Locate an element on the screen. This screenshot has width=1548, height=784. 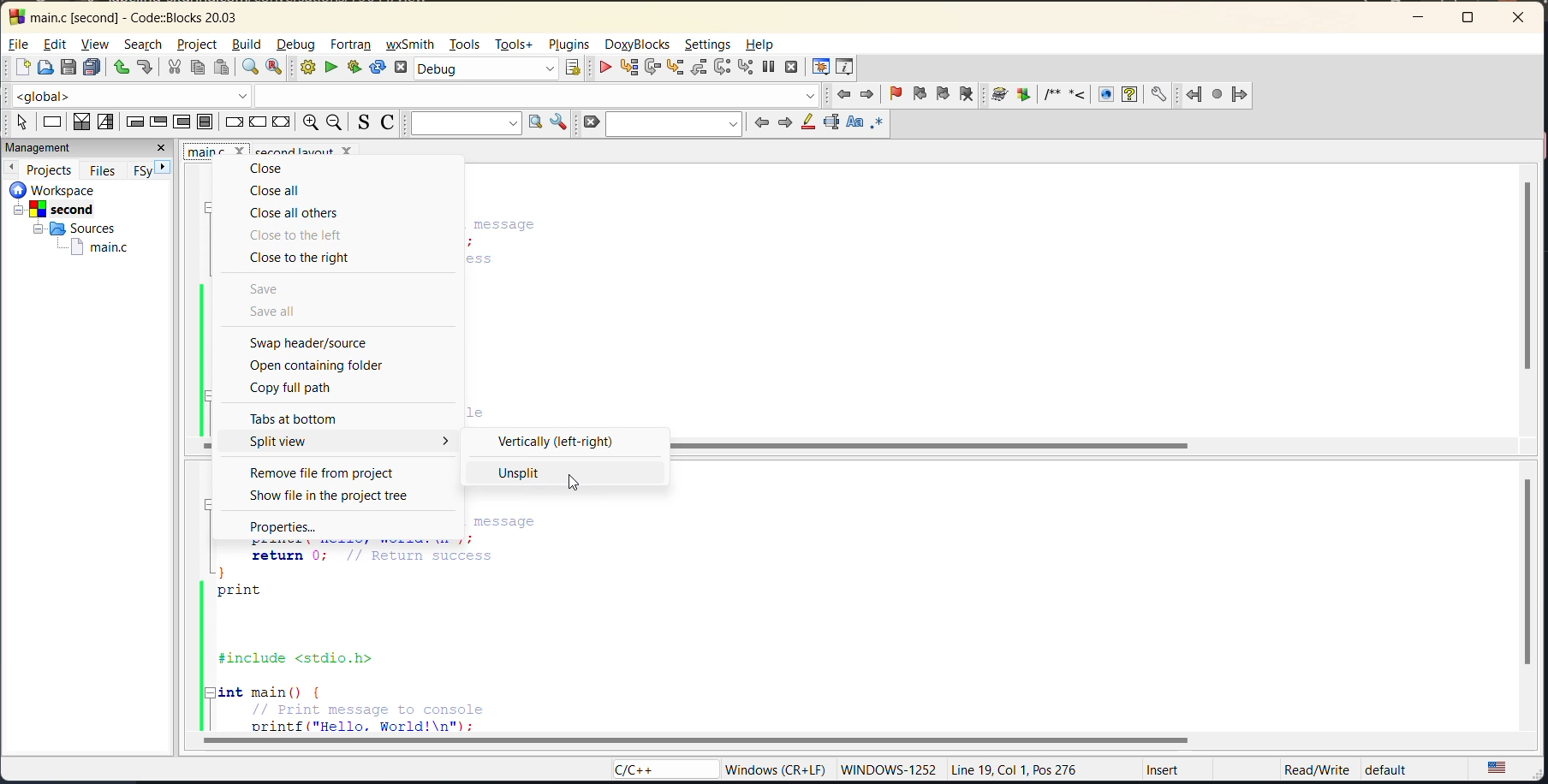
debugging windows is located at coordinates (824, 66).